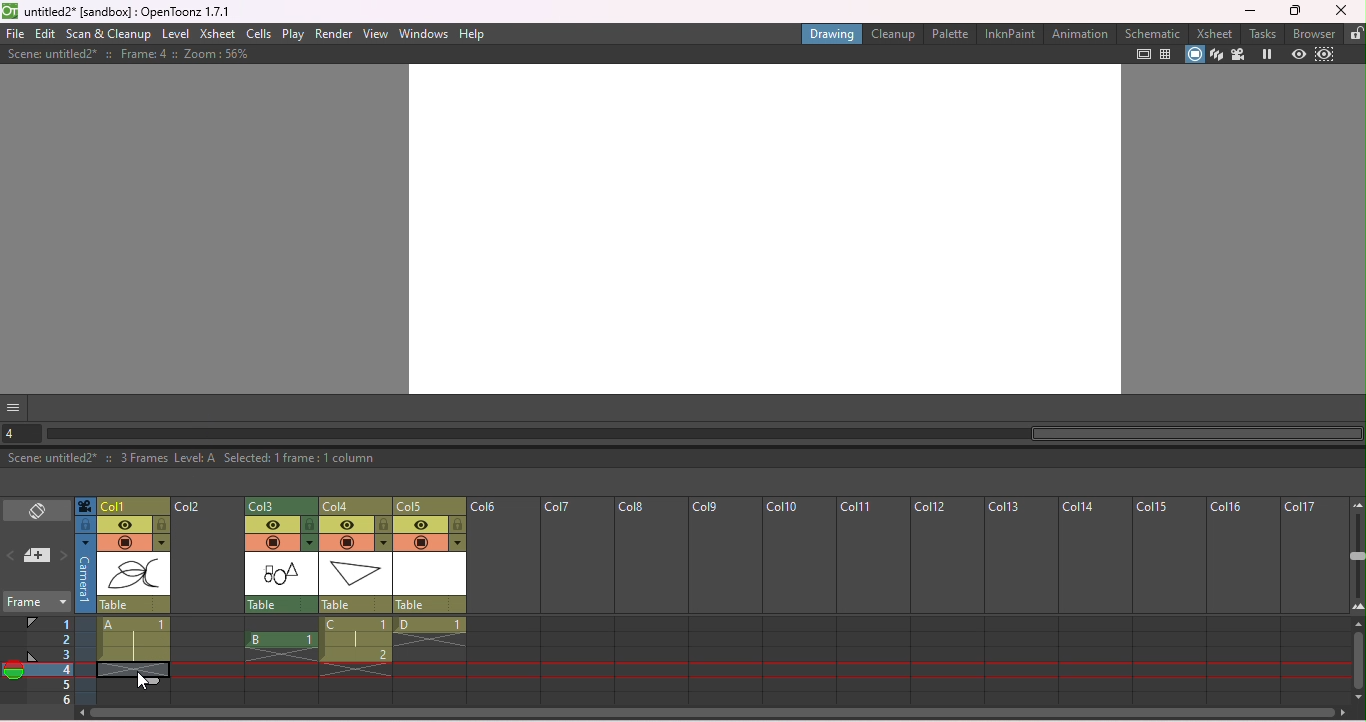 Image resolution: width=1366 pixels, height=722 pixels. What do you see at coordinates (705, 434) in the screenshot?
I see `Horizontal scroll bar` at bounding box center [705, 434].